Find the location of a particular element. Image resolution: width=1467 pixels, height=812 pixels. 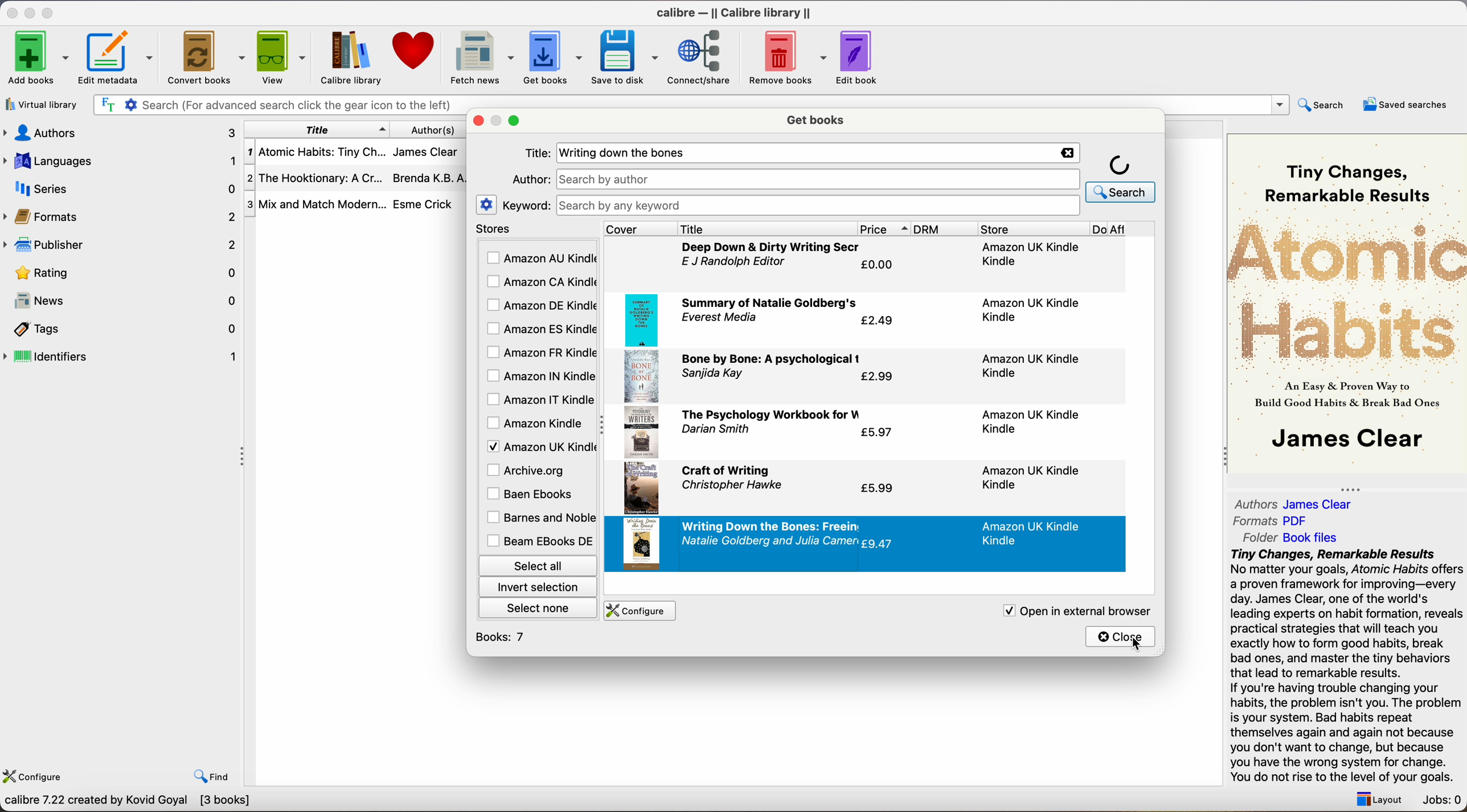

news is located at coordinates (123, 302).